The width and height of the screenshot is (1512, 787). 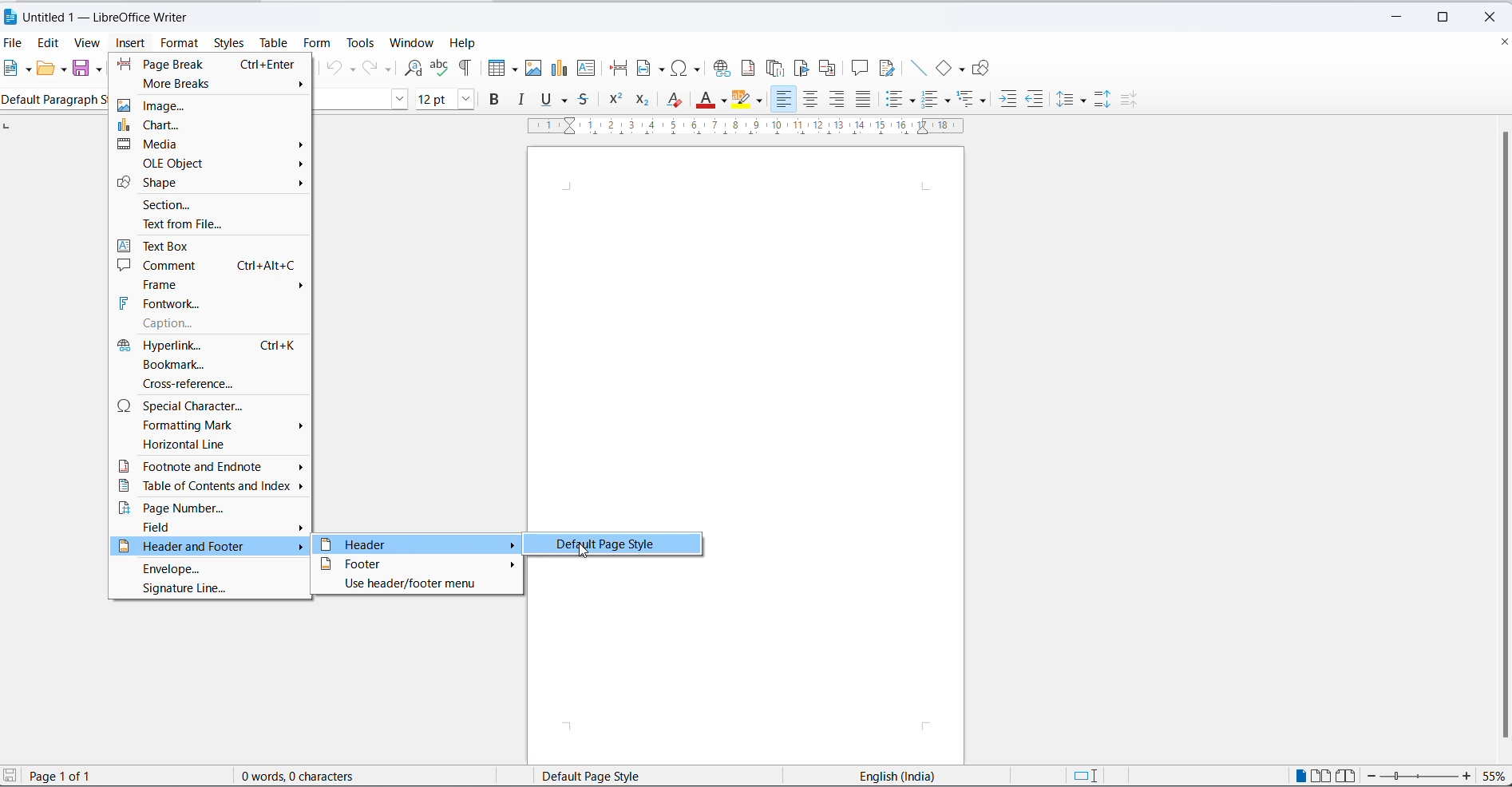 What do you see at coordinates (49, 42) in the screenshot?
I see `edit` at bounding box center [49, 42].